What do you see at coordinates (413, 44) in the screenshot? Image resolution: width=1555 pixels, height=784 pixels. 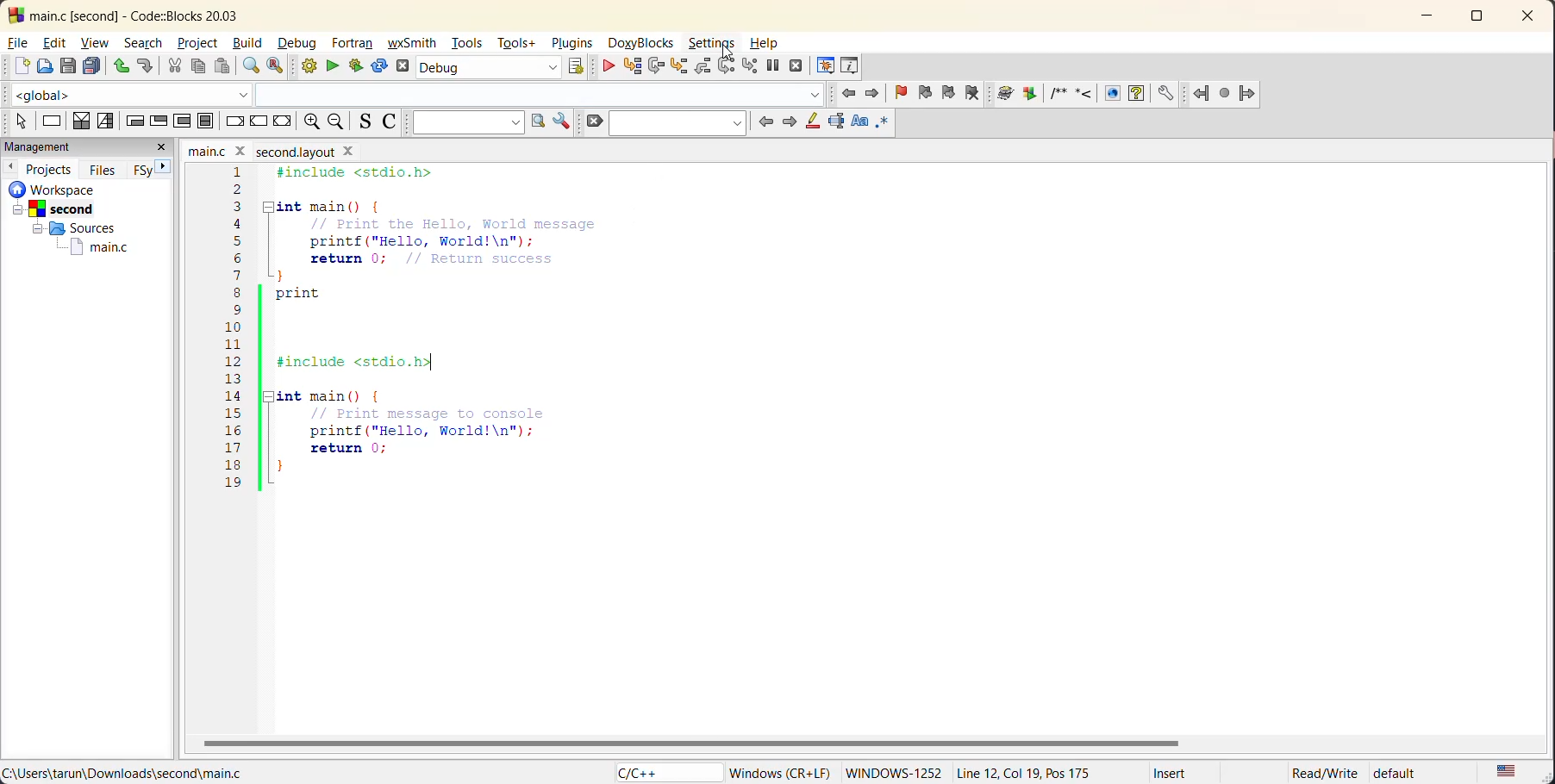 I see `wxsmith` at bounding box center [413, 44].